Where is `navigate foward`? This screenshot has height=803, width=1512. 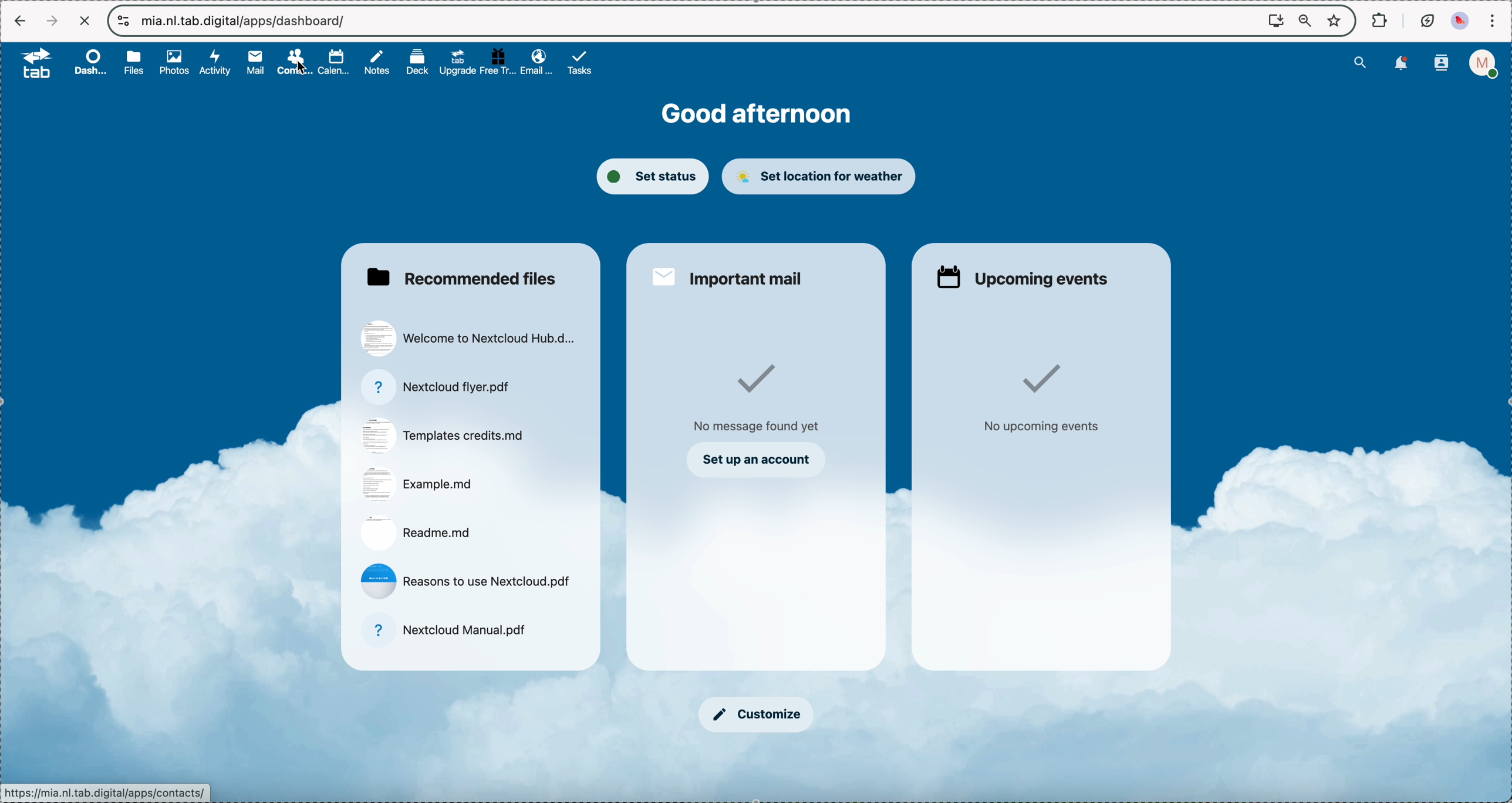 navigate foward is located at coordinates (49, 20).